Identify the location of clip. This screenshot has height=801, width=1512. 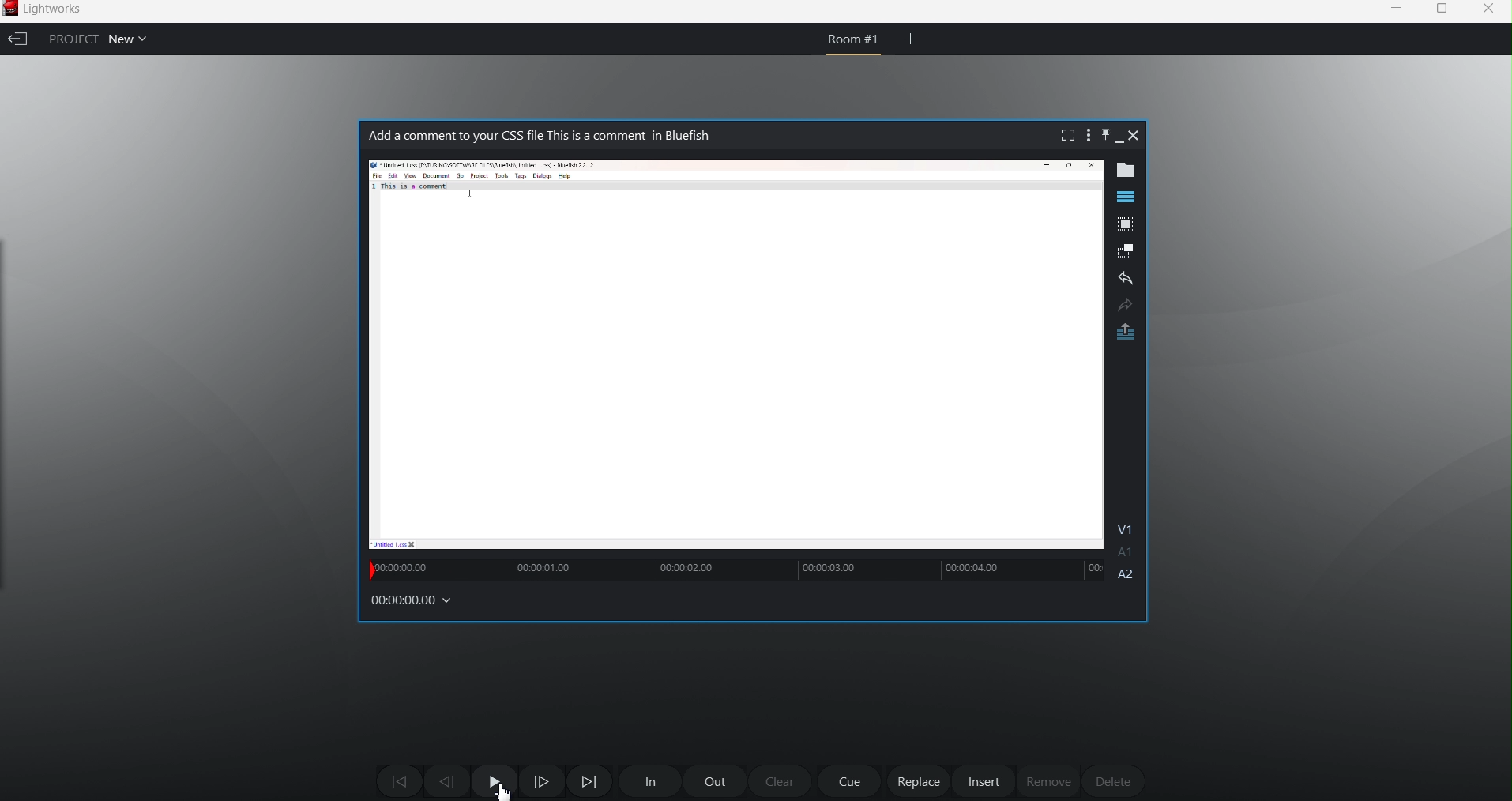
(735, 355).